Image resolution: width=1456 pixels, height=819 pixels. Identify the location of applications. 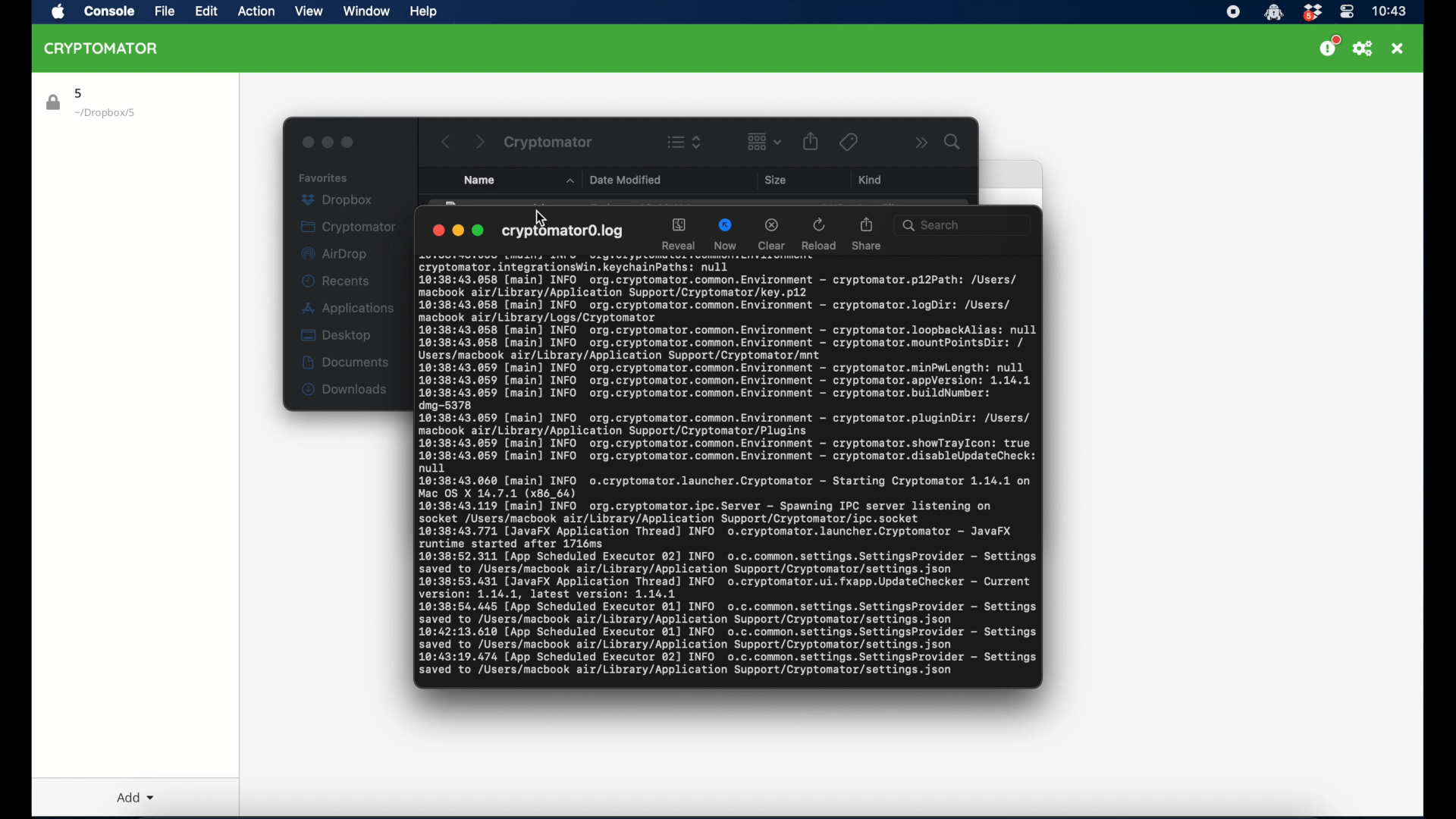
(350, 309).